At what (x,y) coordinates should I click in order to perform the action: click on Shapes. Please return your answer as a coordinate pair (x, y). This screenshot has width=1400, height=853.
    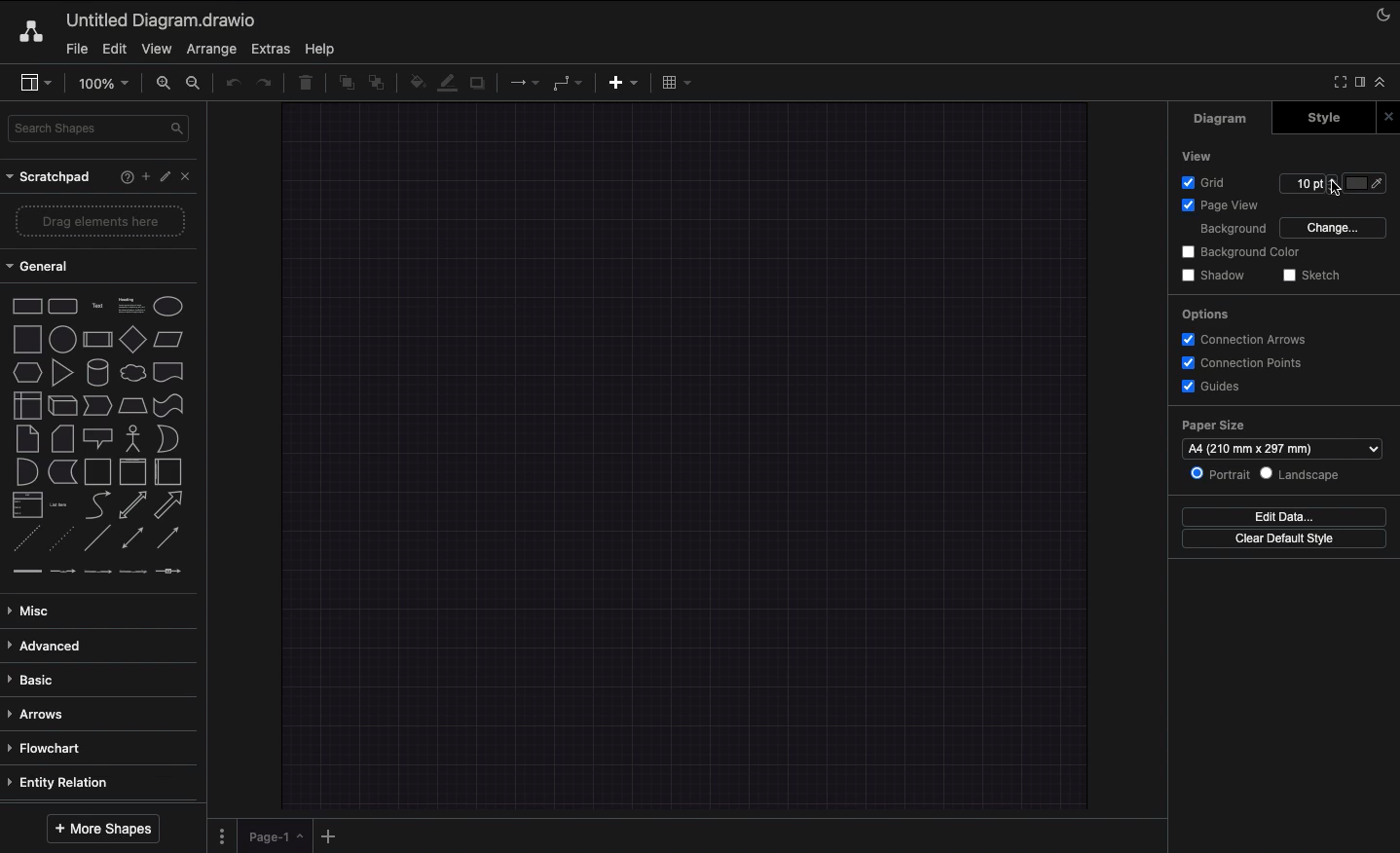
    Looking at the image, I should click on (100, 434).